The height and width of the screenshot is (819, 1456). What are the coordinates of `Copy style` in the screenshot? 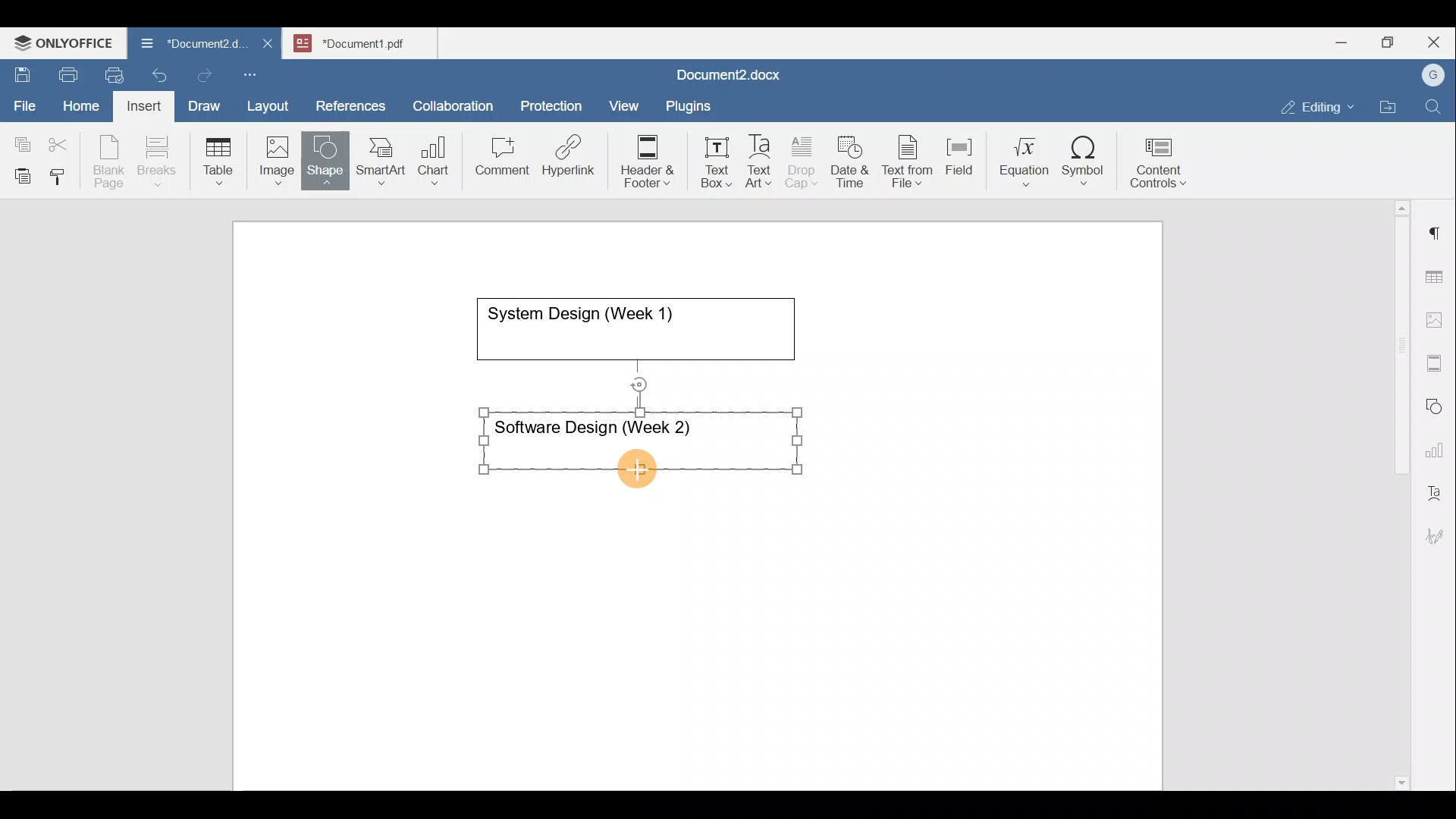 It's located at (63, 173).